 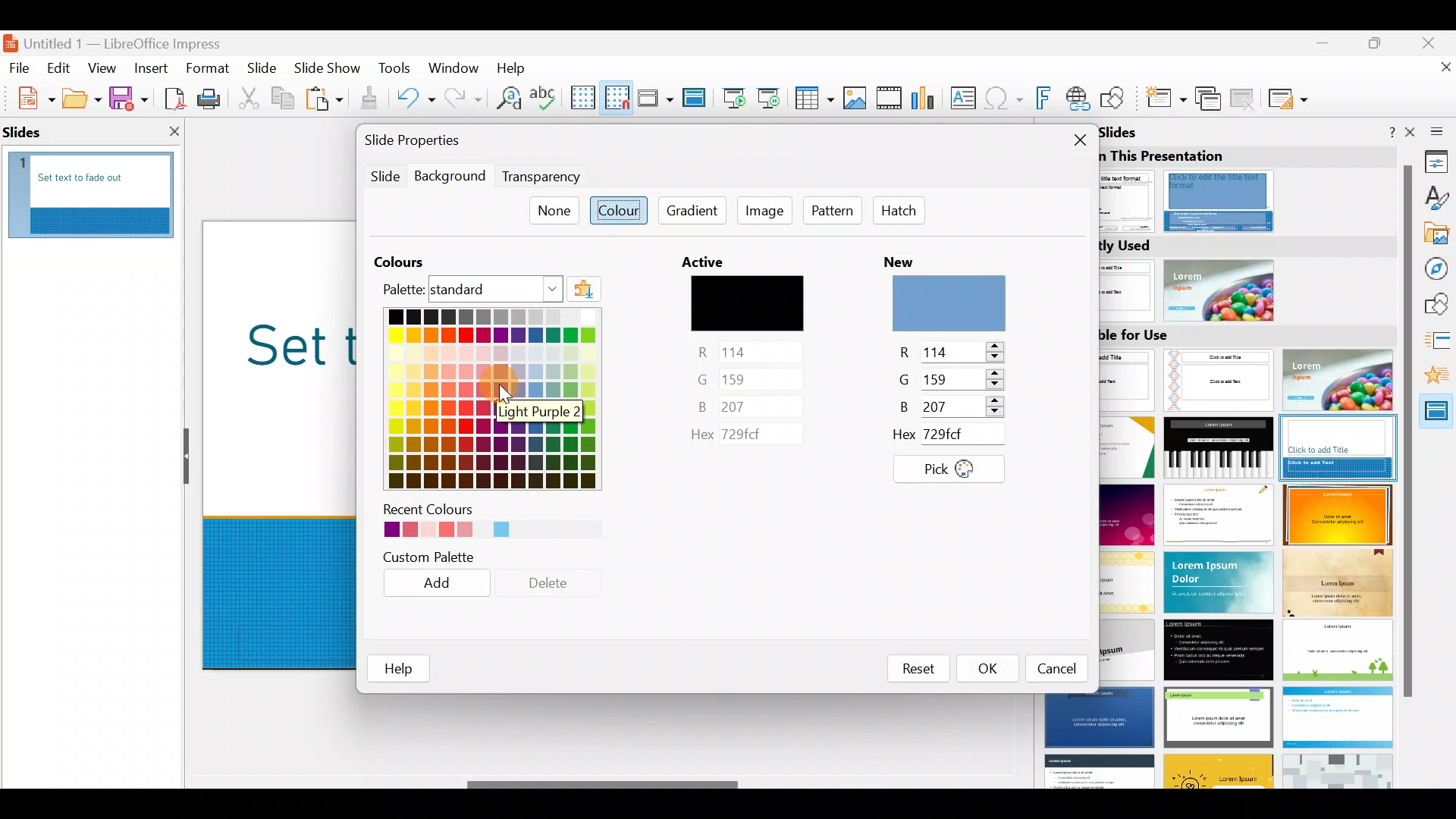 What do you see at coordinates (748, 405) in the screenshot?
I see `blue` at bounding box center [748, 405].